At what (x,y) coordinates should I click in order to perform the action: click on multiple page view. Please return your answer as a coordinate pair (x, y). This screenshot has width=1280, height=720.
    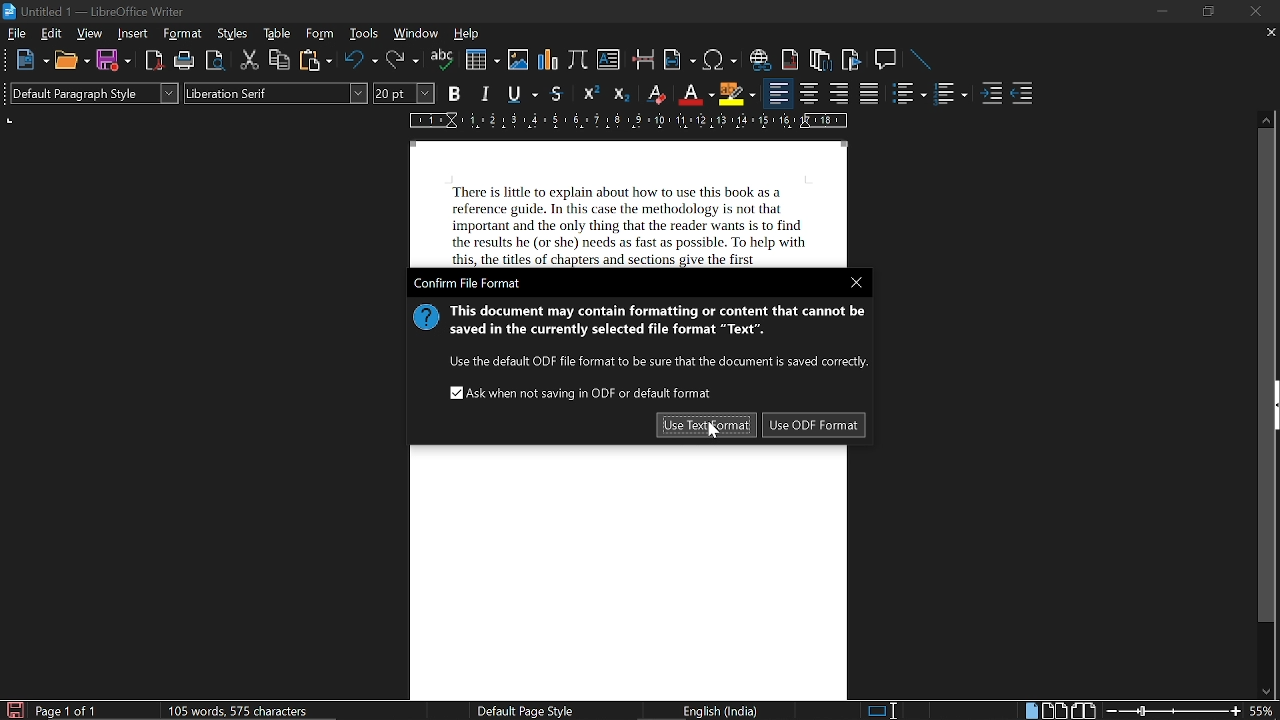
    Looking at the image, I should click on (1054, 711).